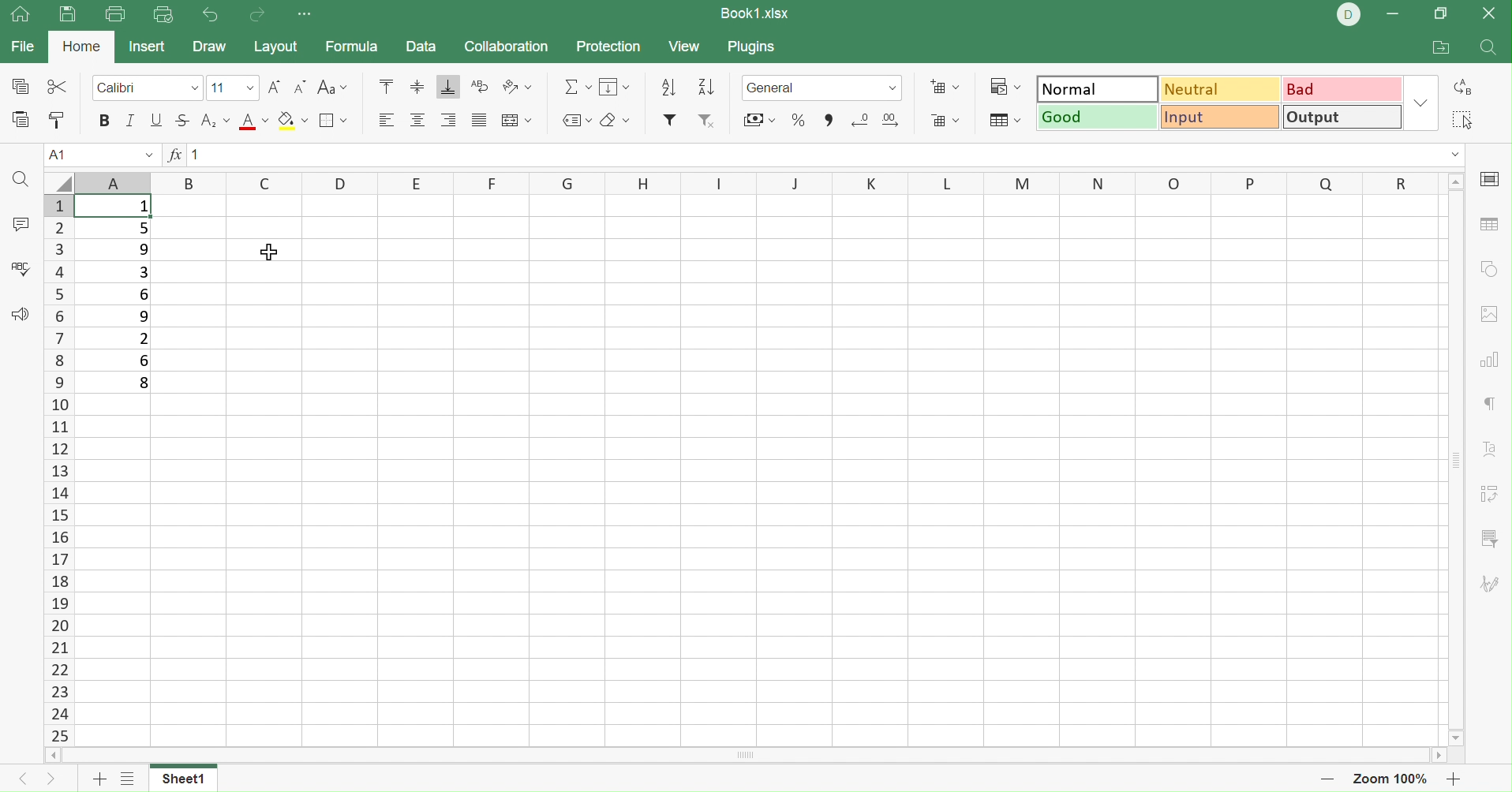  Describe the element at coordinates (385, 86) in the screenshot. I see `Align top` at that location.